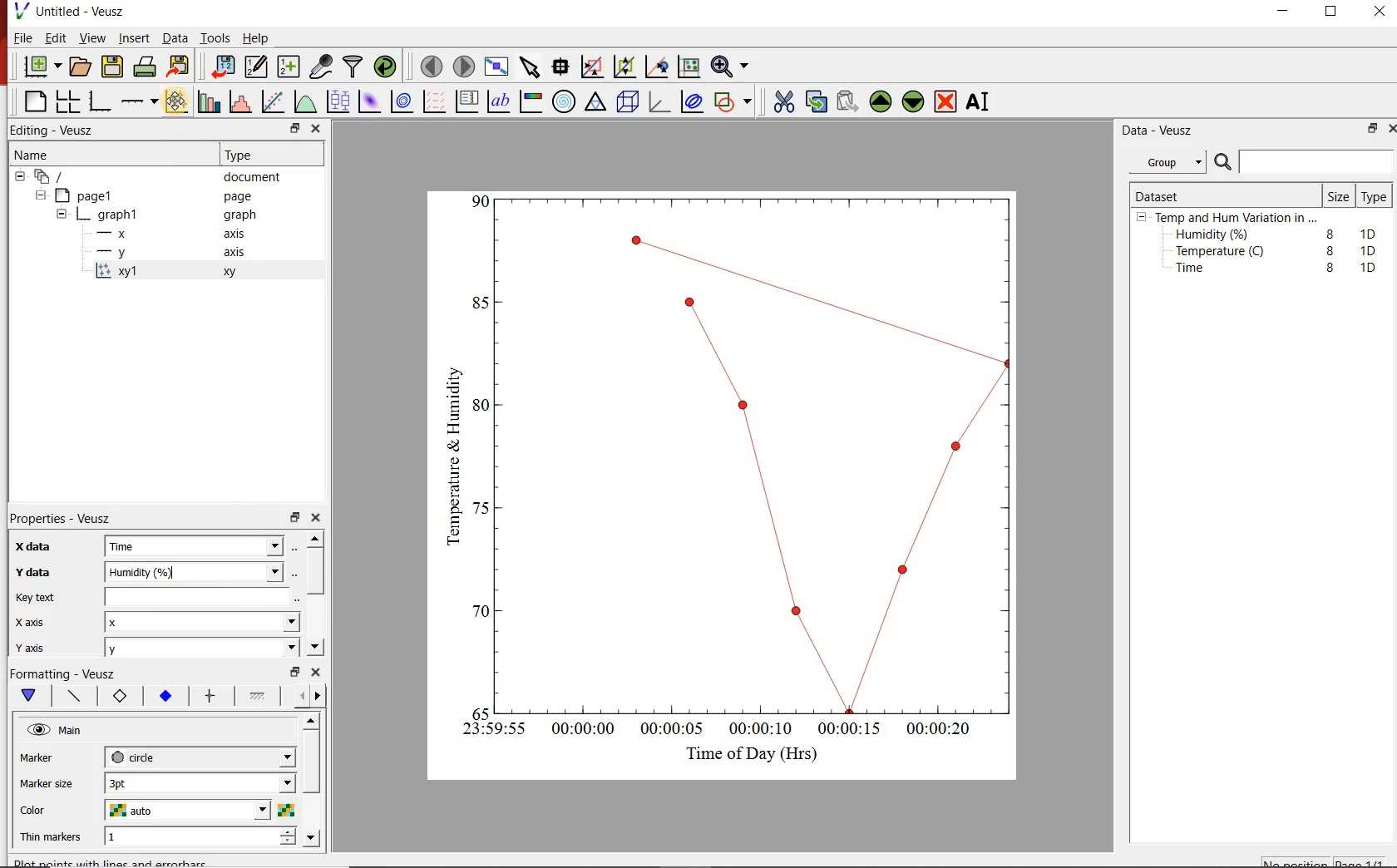 The image size is (1397, 868). Describe the element at coordinates (295, 572) in the screenshot. I see `Select using dataset browser` at that location.